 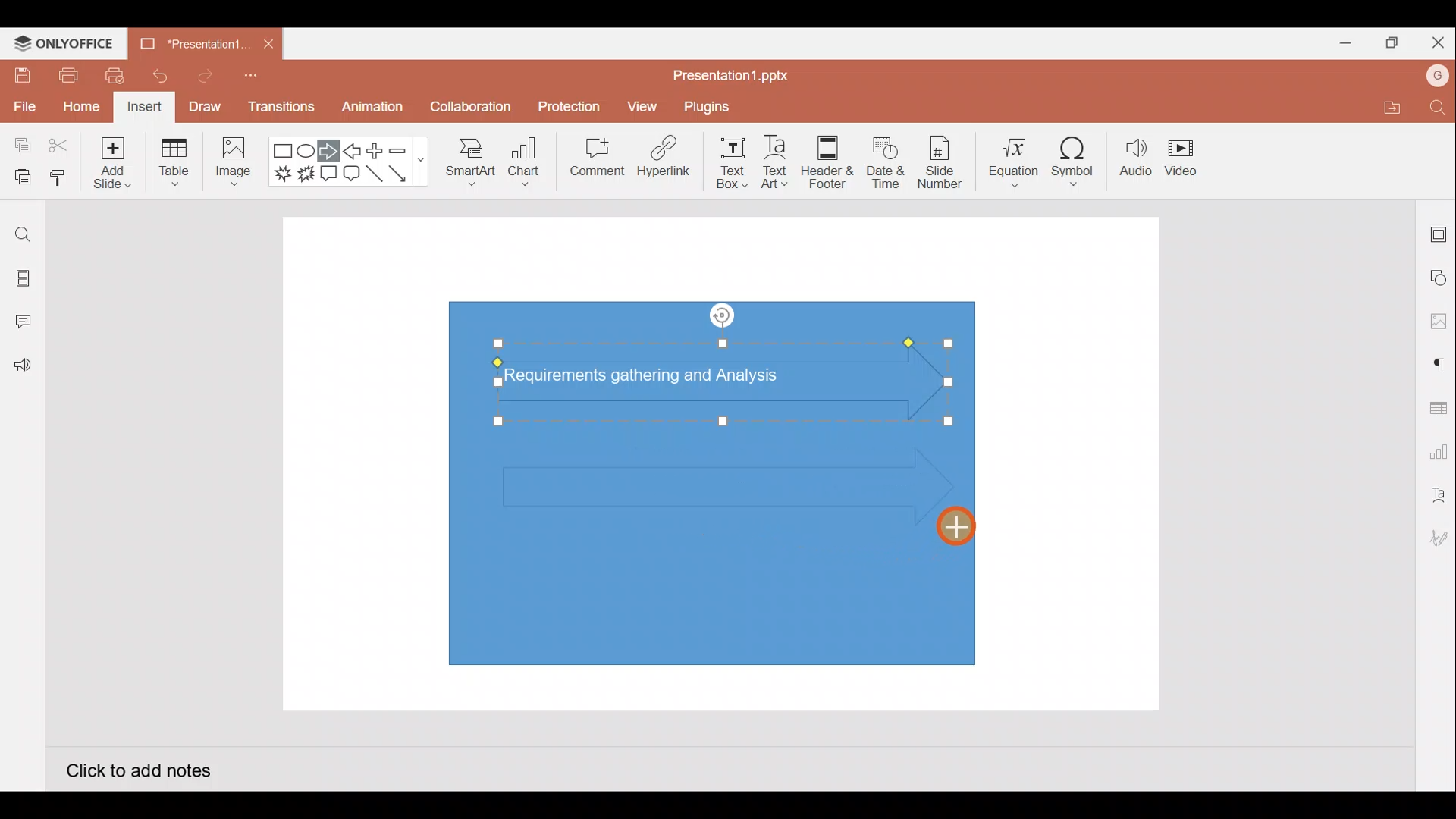 I want to click on Arrow, so click(x=406, y=174).